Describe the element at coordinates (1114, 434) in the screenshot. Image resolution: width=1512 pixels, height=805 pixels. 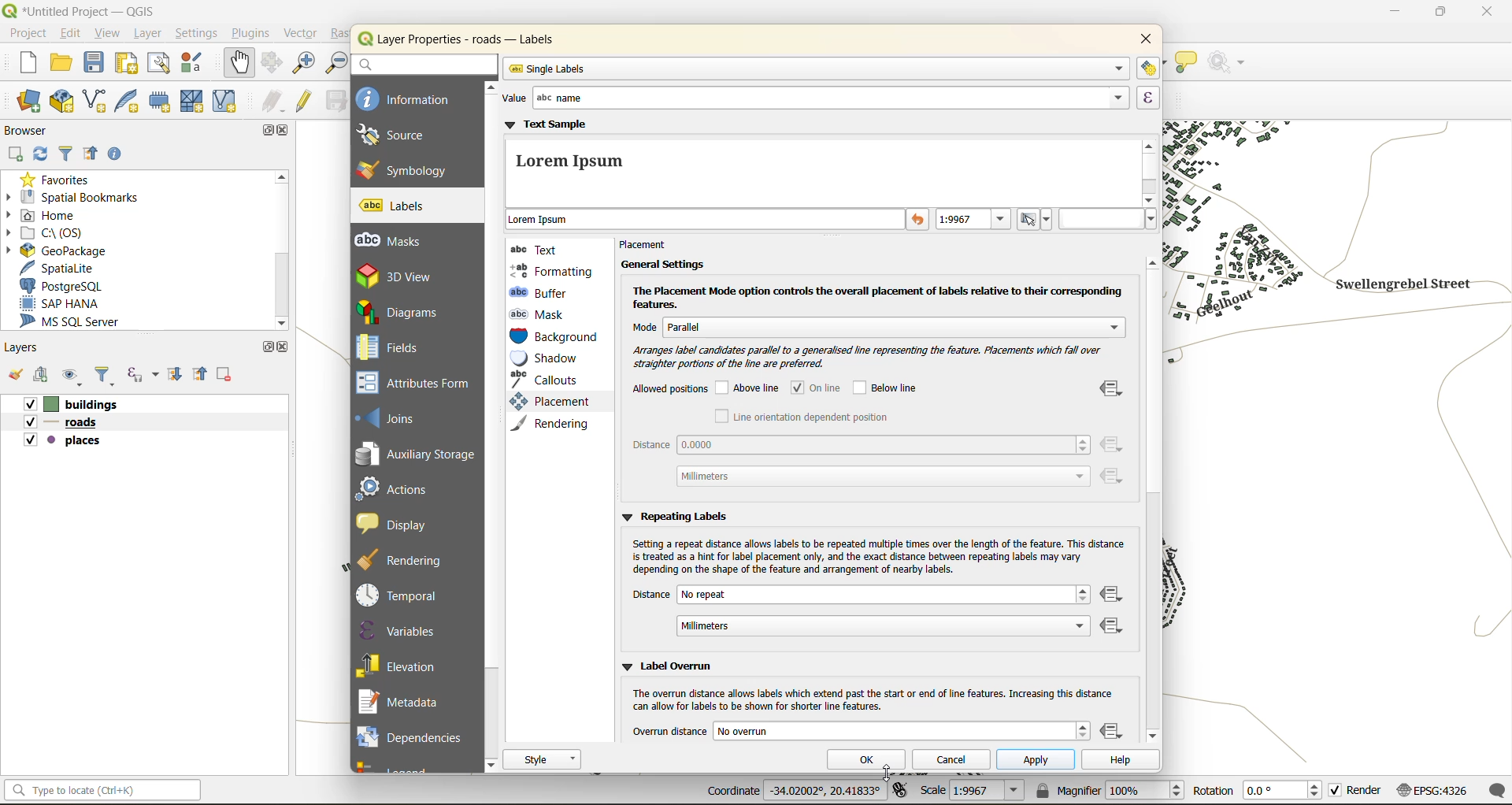
I see `data defined override` at that location.